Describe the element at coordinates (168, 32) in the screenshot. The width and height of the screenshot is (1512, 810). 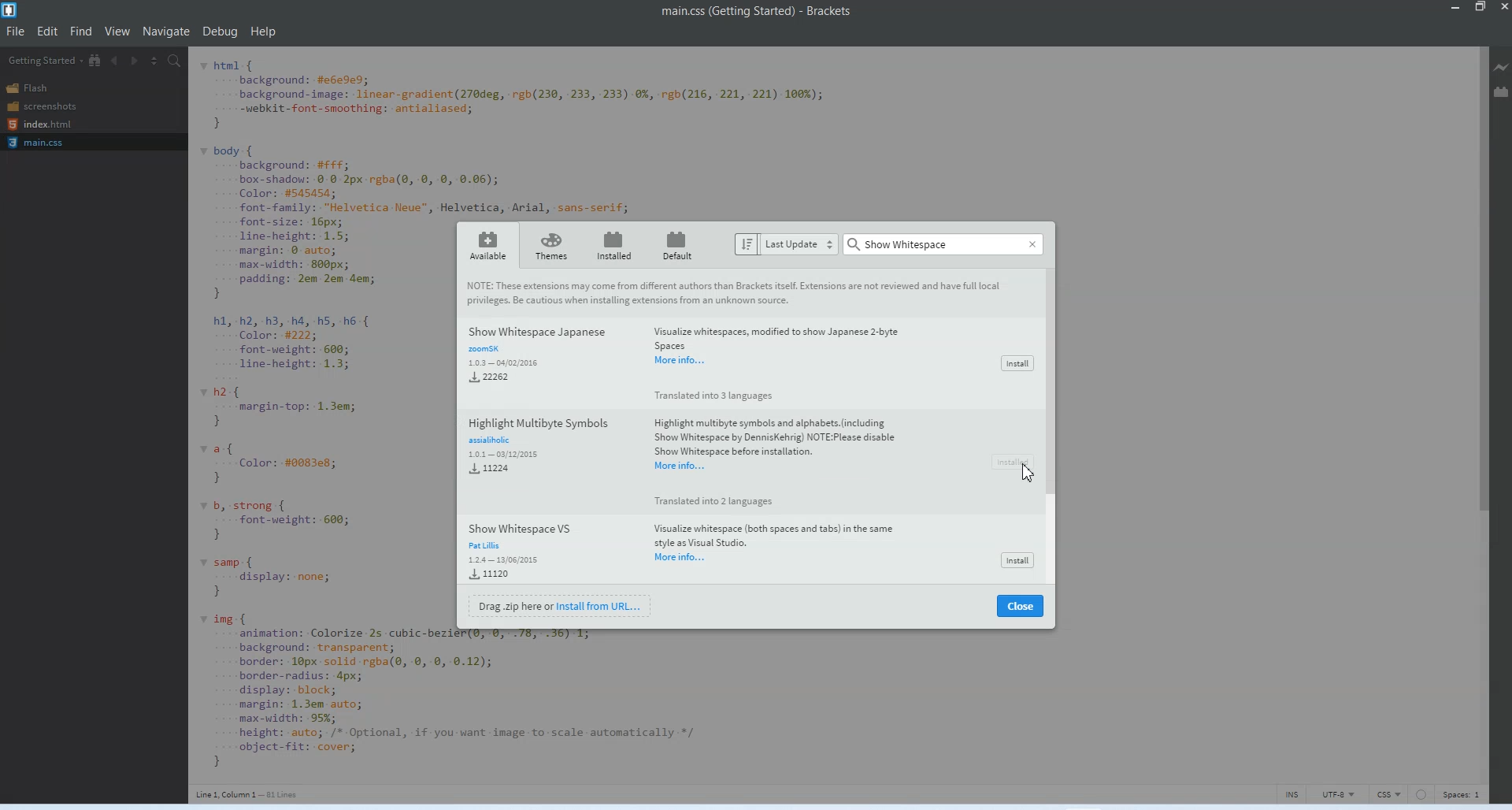
I see `Navigate` at that location.